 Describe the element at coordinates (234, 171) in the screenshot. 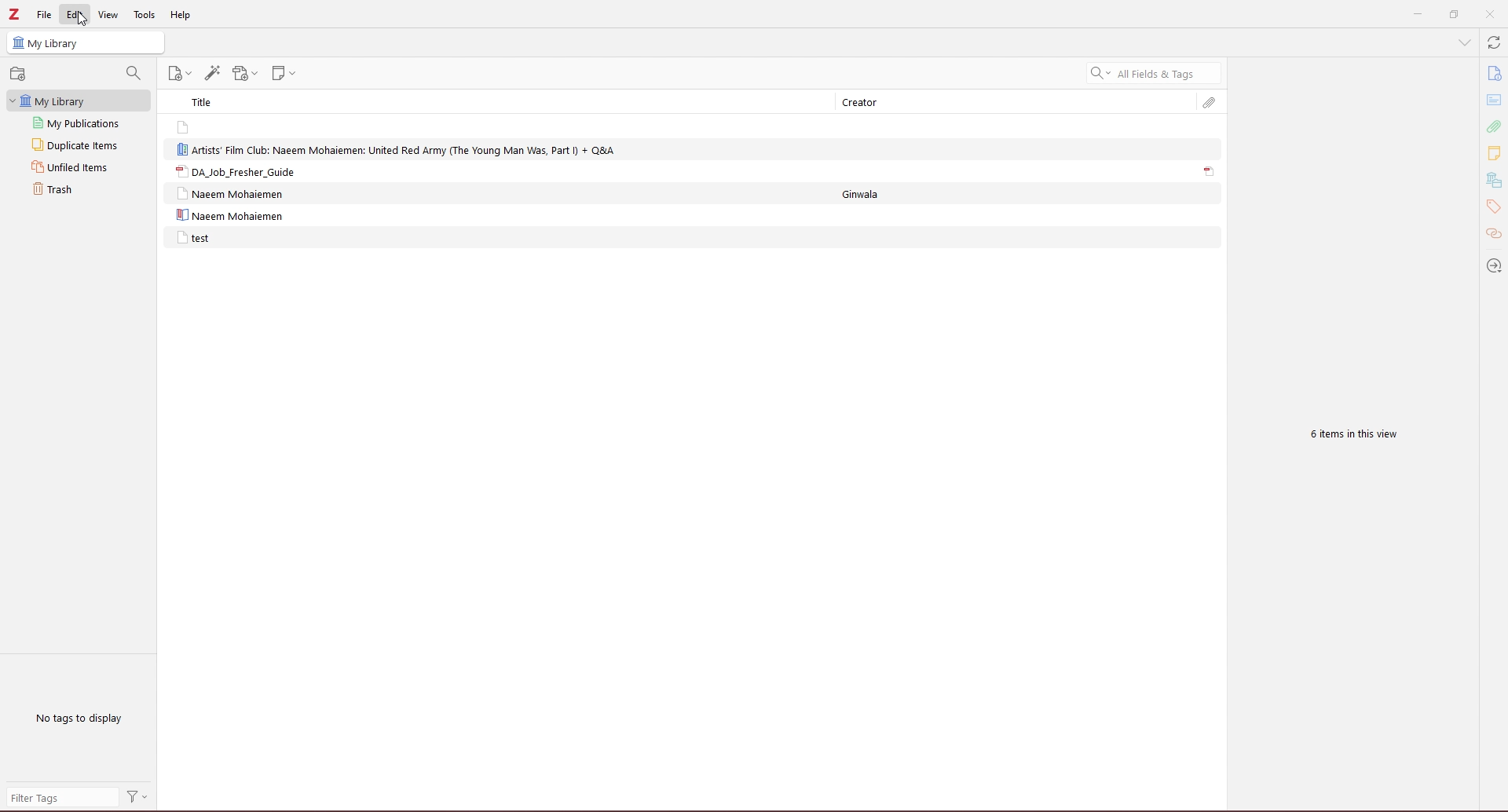

I see `DA_Job_Fresher_Guide` at that location.